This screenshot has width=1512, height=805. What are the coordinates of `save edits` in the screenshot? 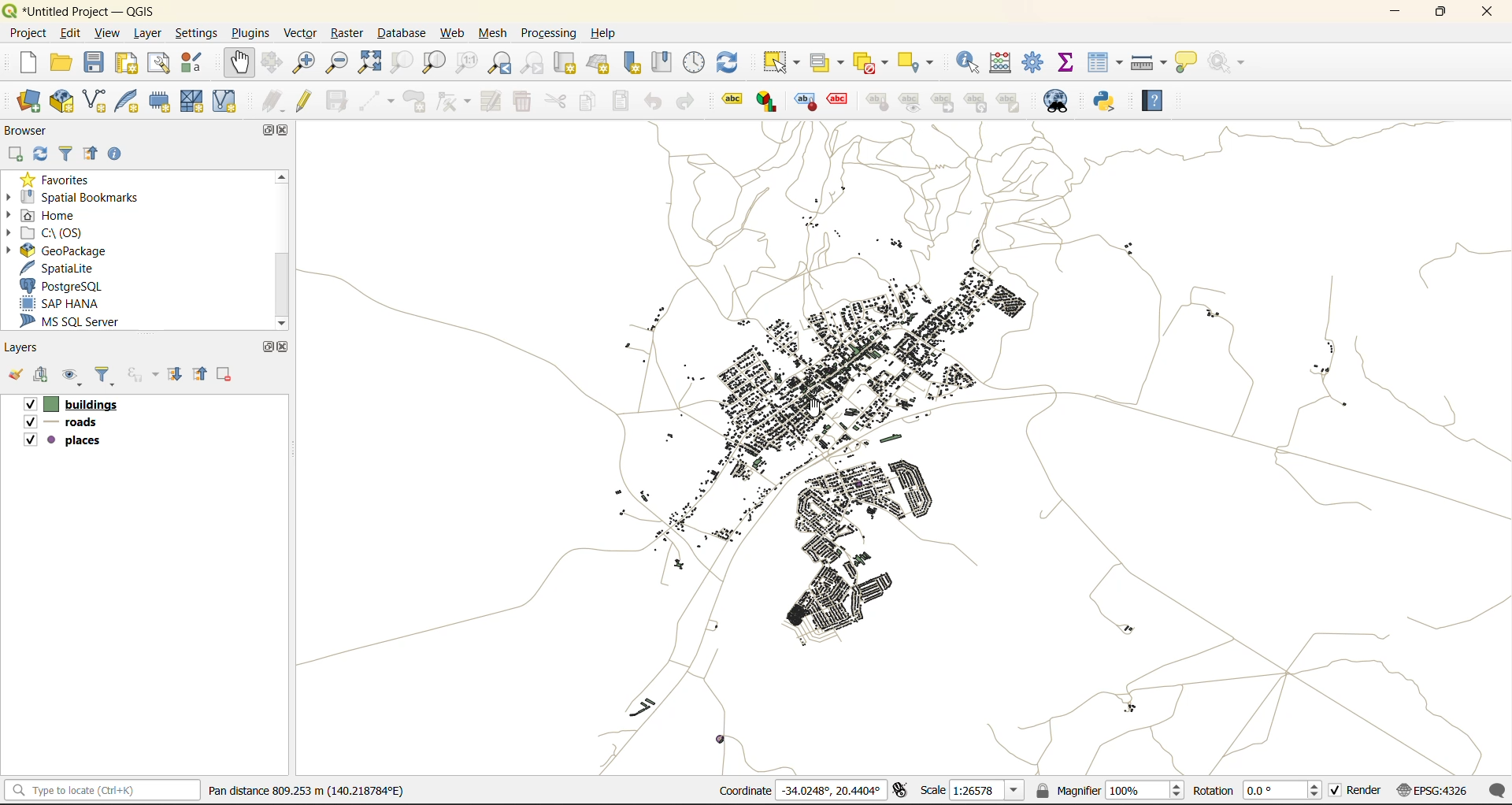 It's located at (336, 104).